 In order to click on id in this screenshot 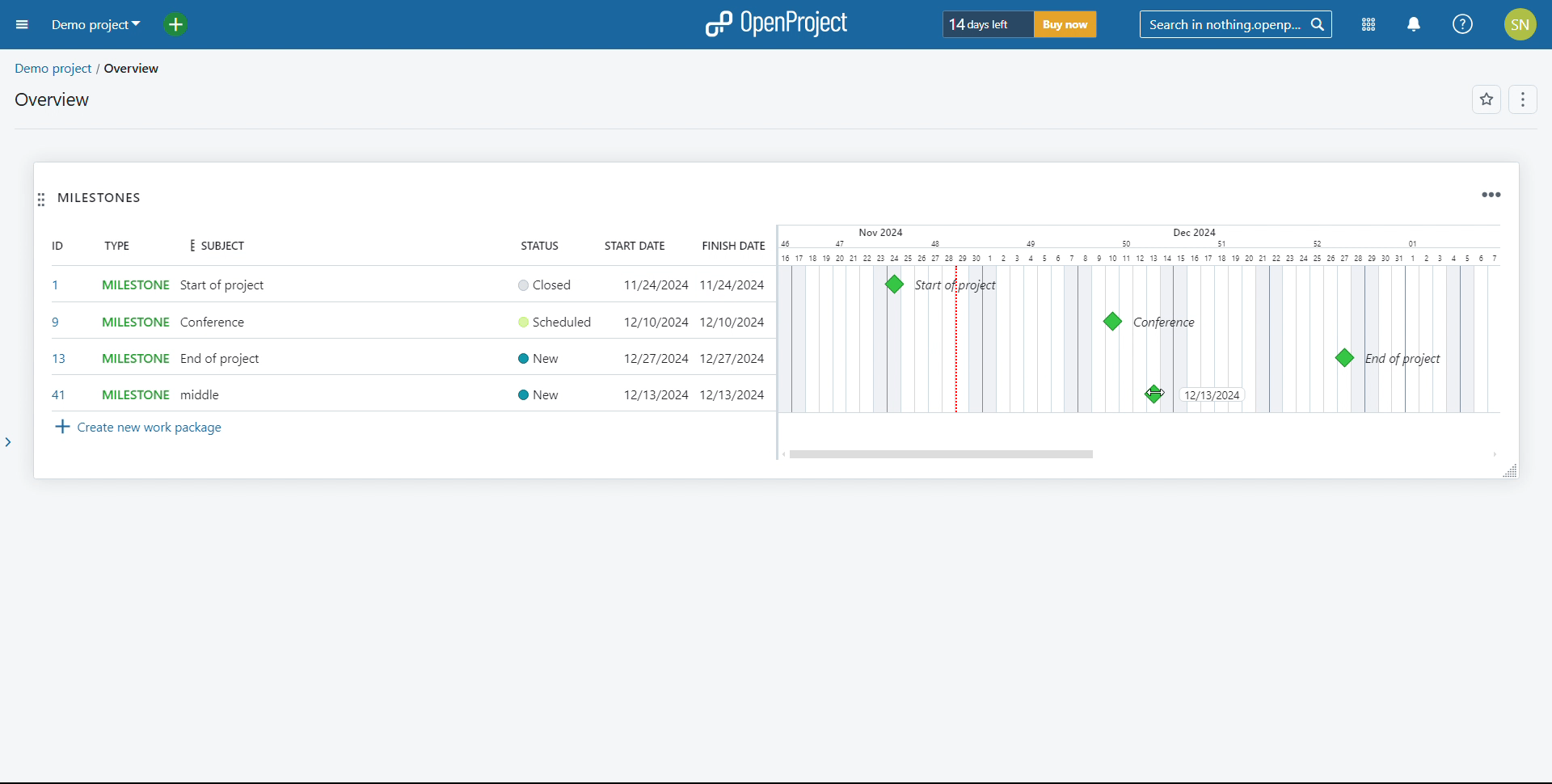, I will do `click(57, 245)`.